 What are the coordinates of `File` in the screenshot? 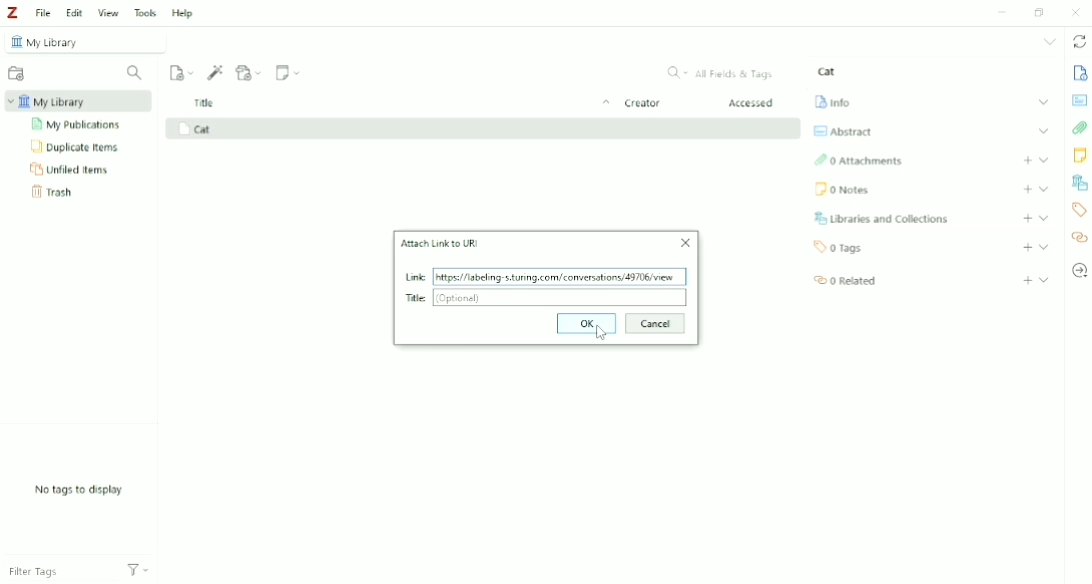 It's located at (42, 12).